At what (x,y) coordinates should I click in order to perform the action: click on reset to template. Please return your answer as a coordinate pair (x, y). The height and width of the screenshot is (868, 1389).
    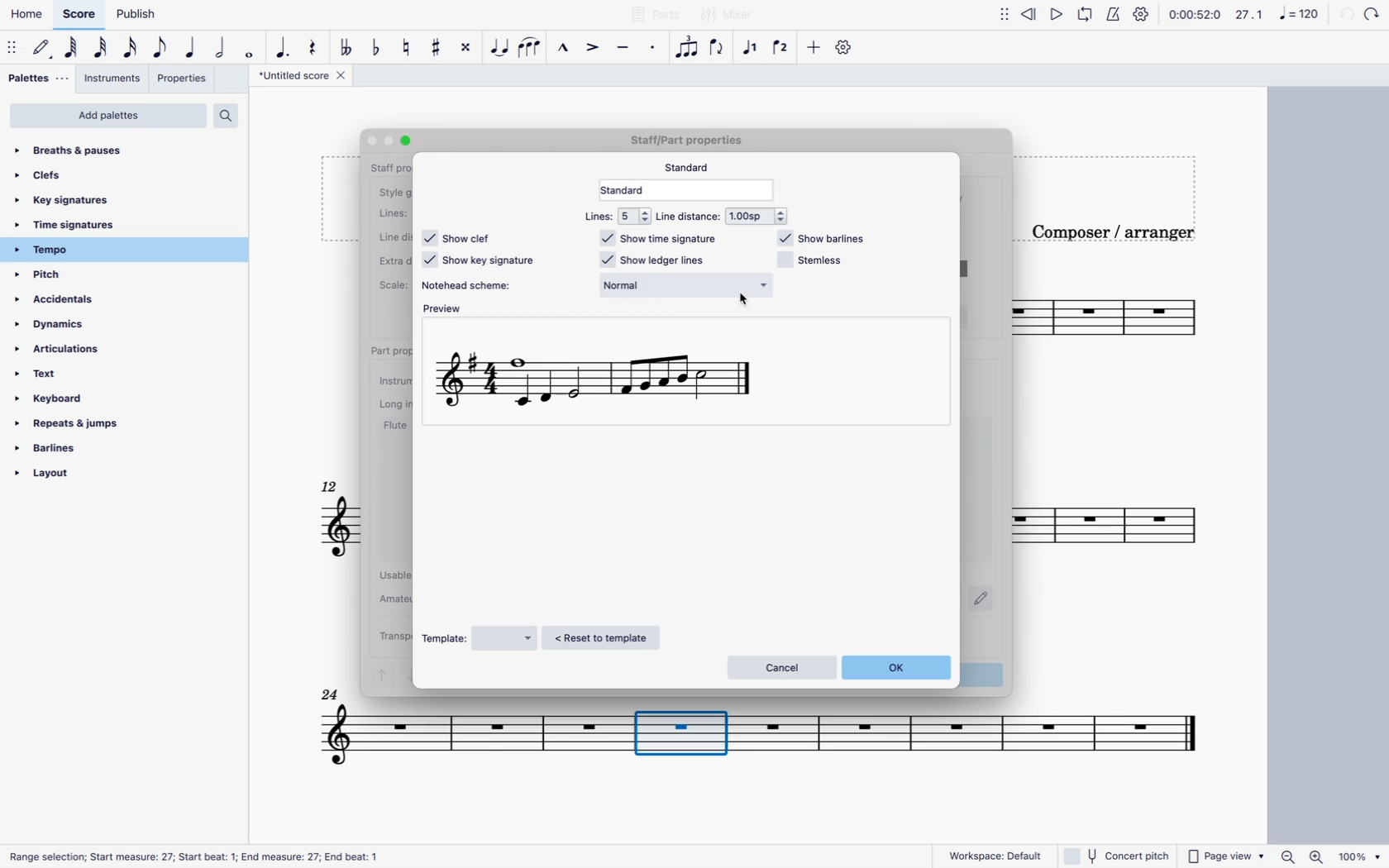
    Looking at the image, I should click on (607, 638).